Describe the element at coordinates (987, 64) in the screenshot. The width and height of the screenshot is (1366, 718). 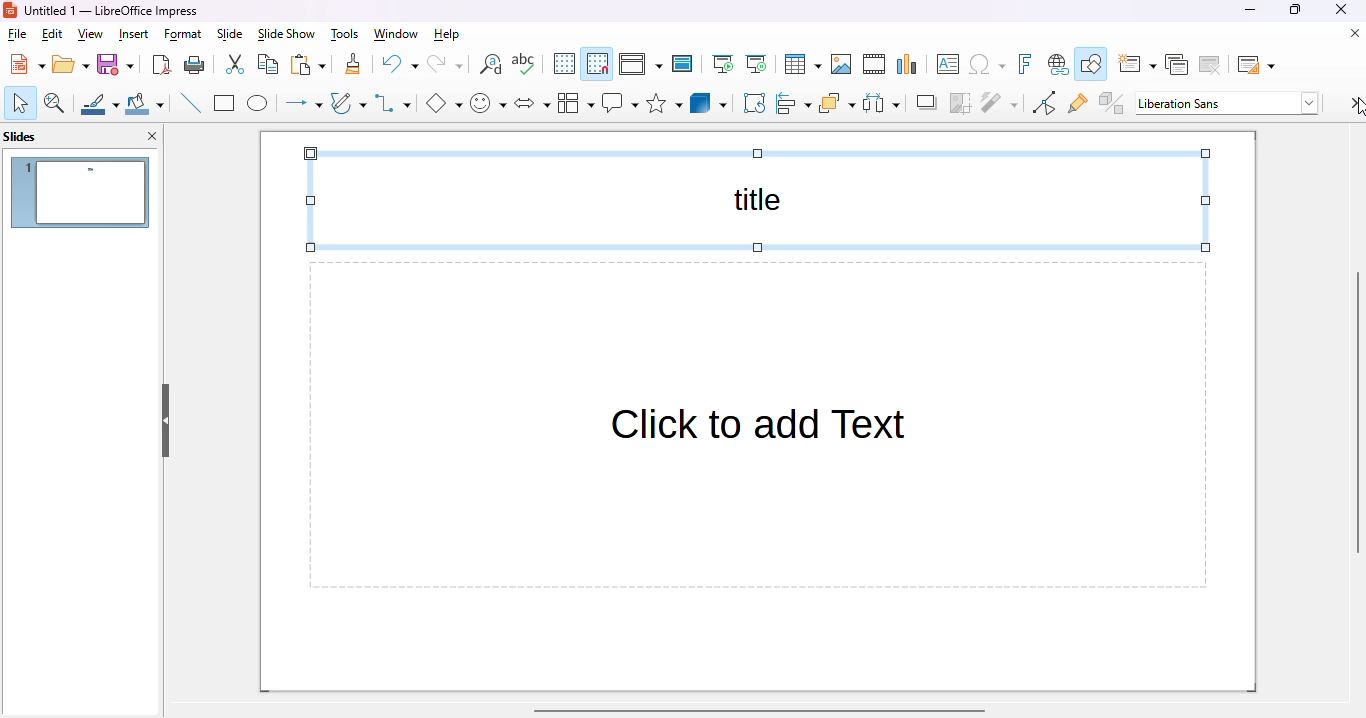
I see `insert special characters` at that location.